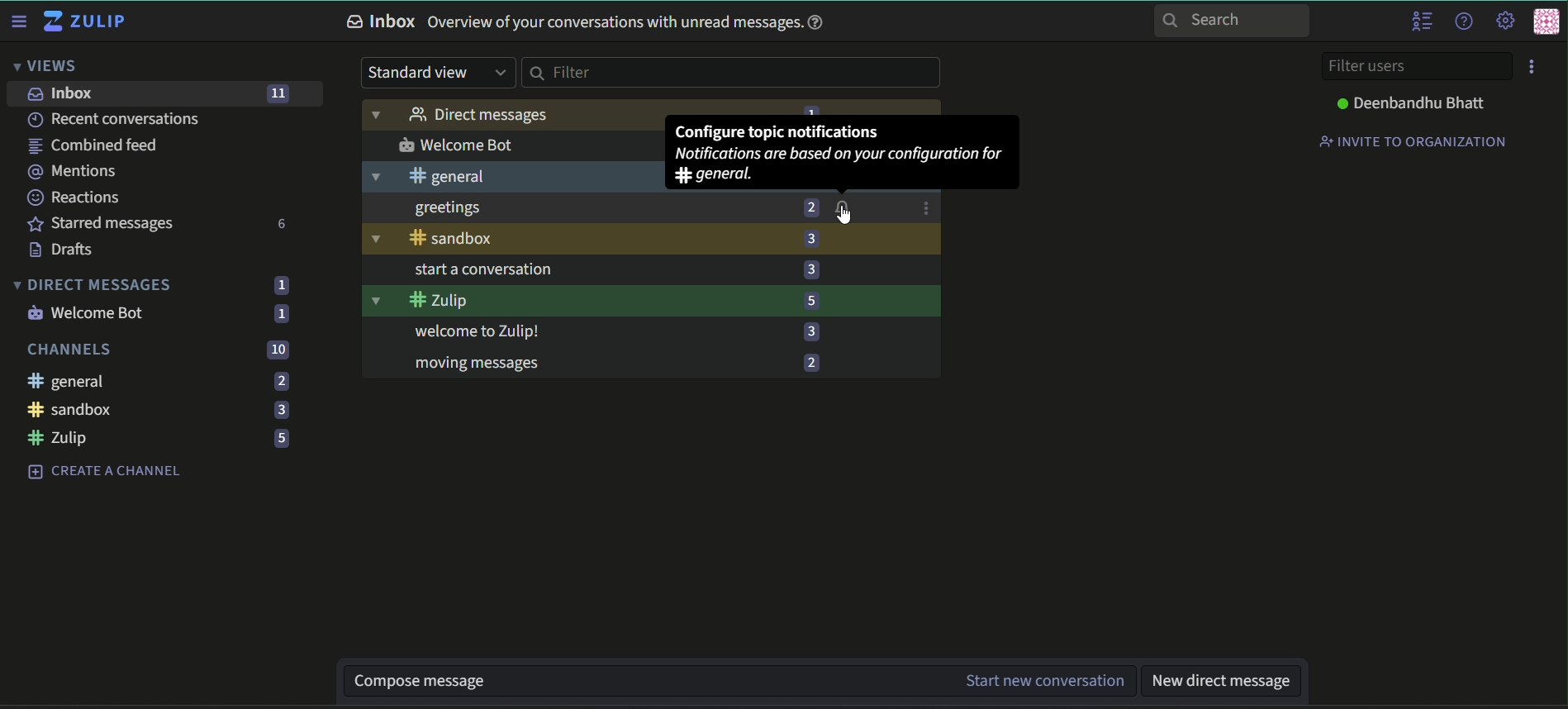 This screenshot has height=709, width=1568. Describe the element at coordinates (93, 145) in the screenshot. I see `combined feed` at that location.